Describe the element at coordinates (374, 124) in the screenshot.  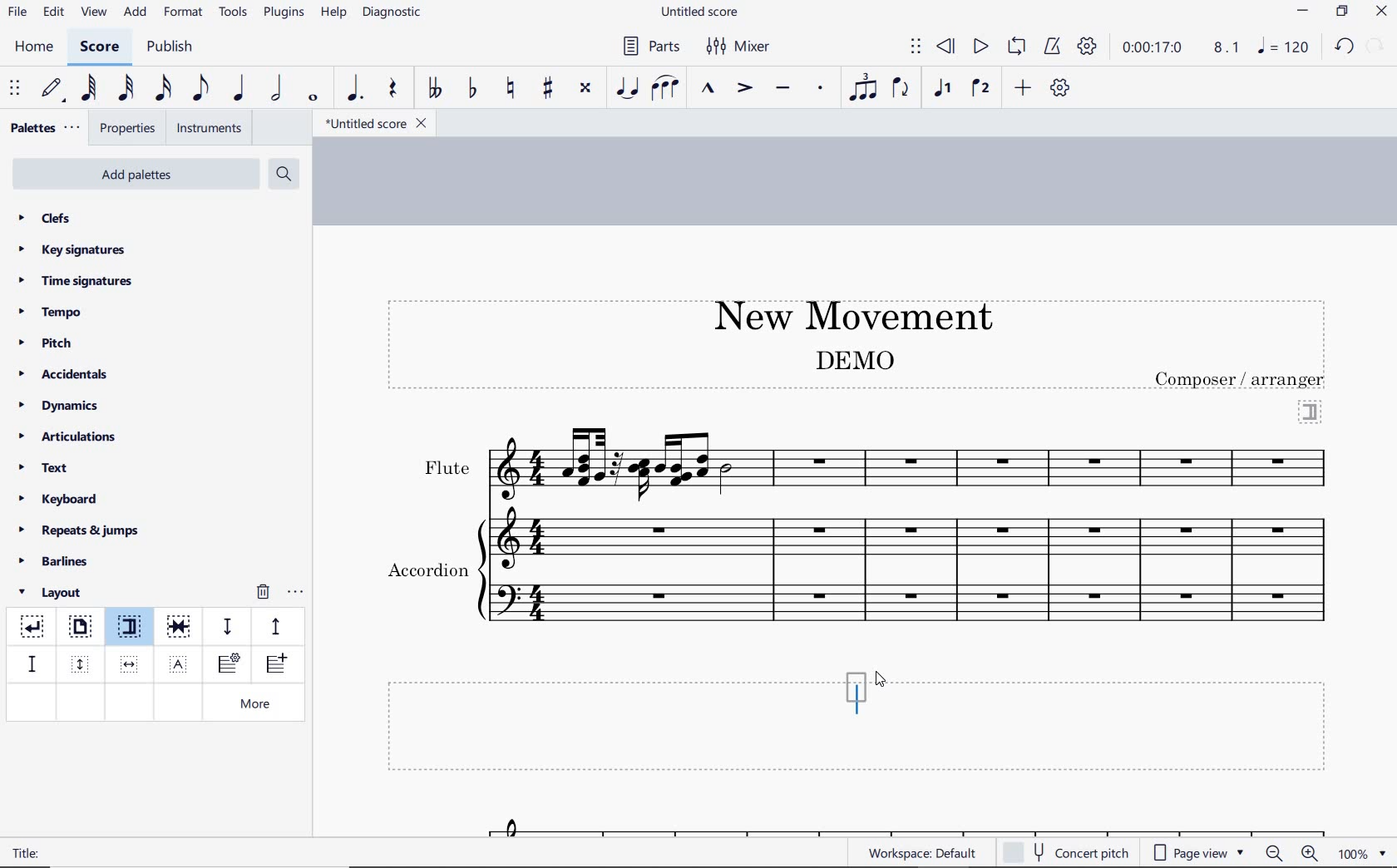
I see `file name` at that location.